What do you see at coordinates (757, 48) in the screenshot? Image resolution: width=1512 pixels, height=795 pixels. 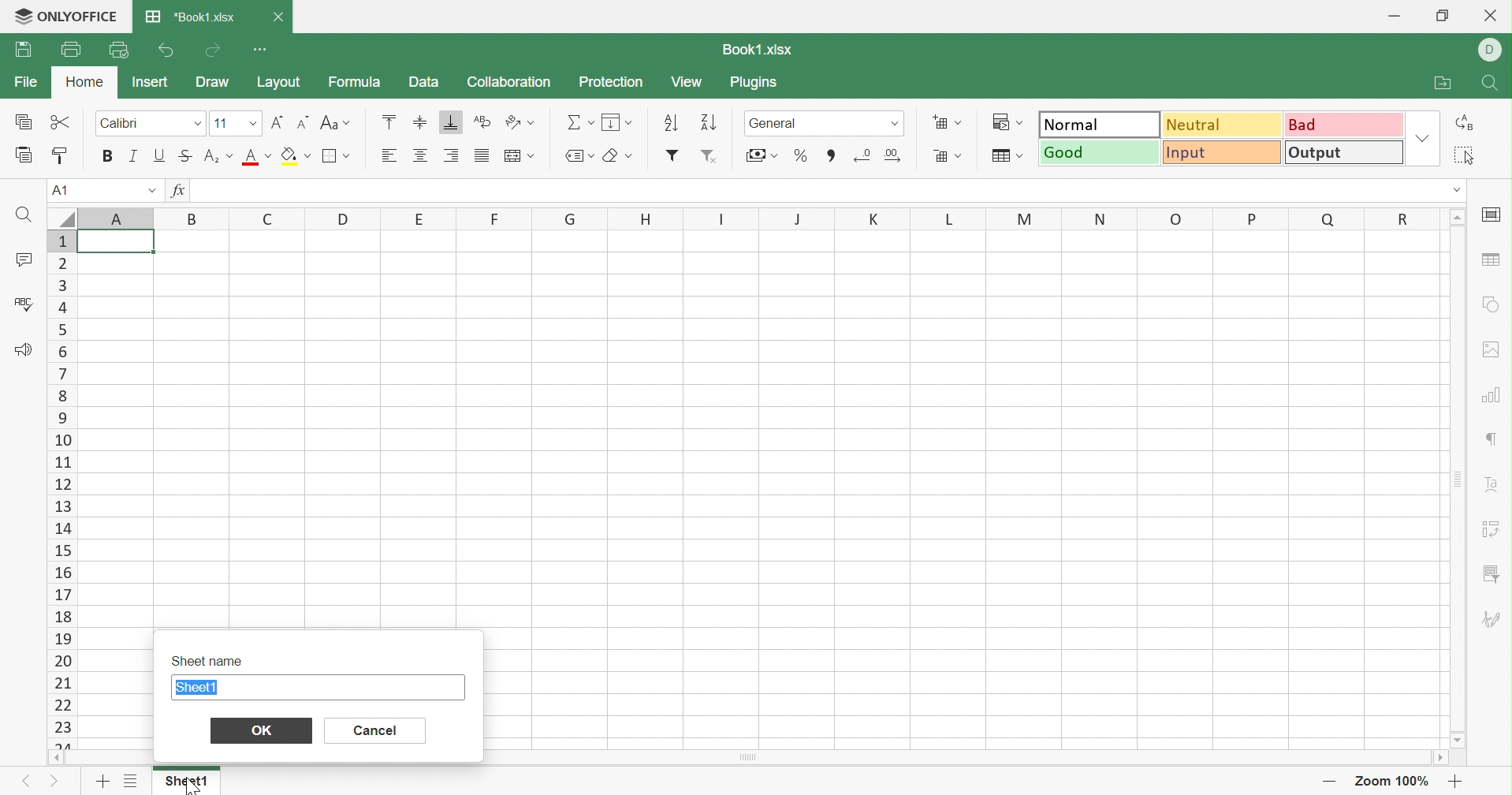 I see `Book1.xlsx` at bounding box center [757, 48].